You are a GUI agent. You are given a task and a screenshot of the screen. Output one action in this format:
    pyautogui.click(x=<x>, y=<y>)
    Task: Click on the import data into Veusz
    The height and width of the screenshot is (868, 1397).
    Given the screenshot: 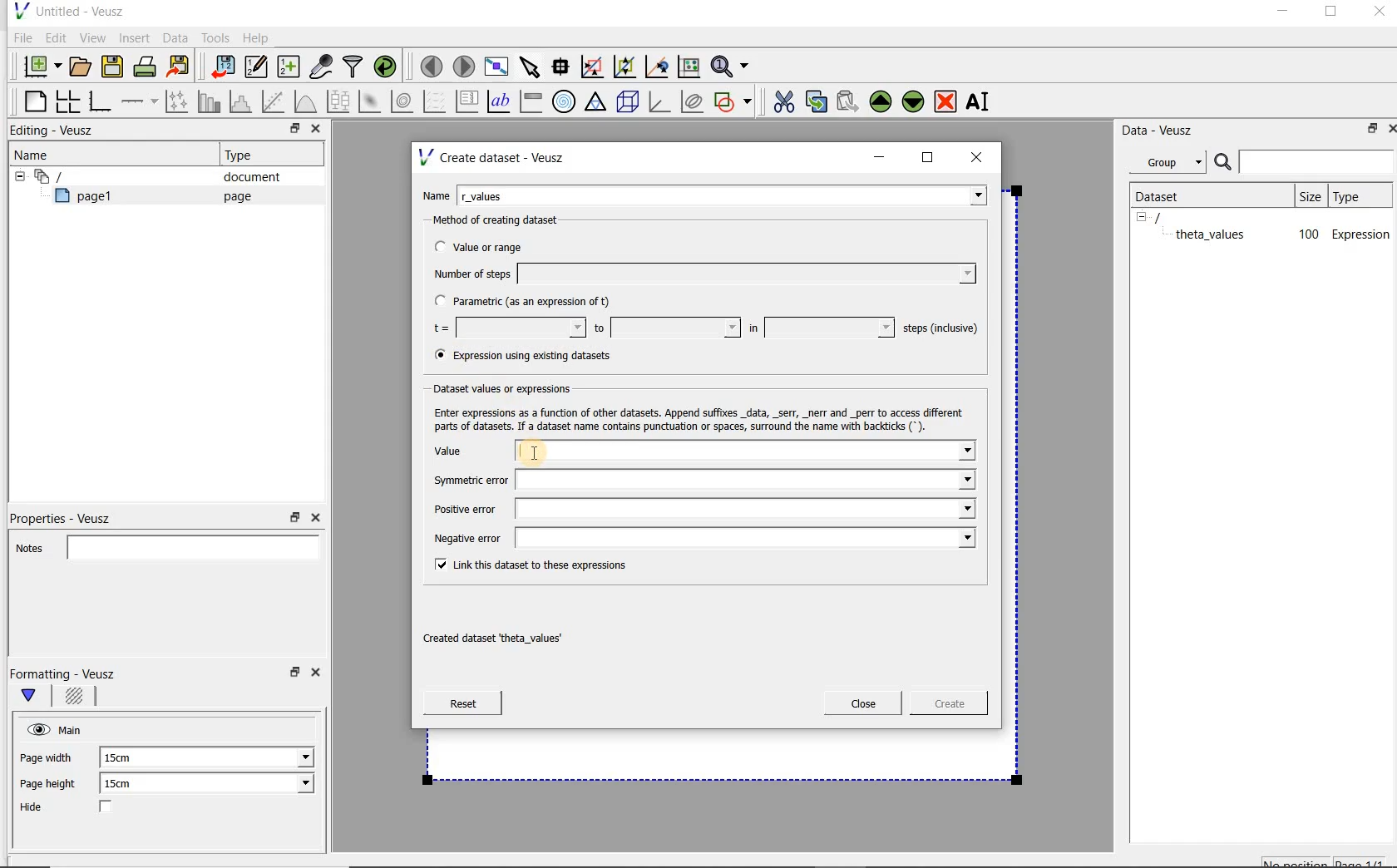 What is the action you would take?
    pyautogui.click(x=221, y=67)
    